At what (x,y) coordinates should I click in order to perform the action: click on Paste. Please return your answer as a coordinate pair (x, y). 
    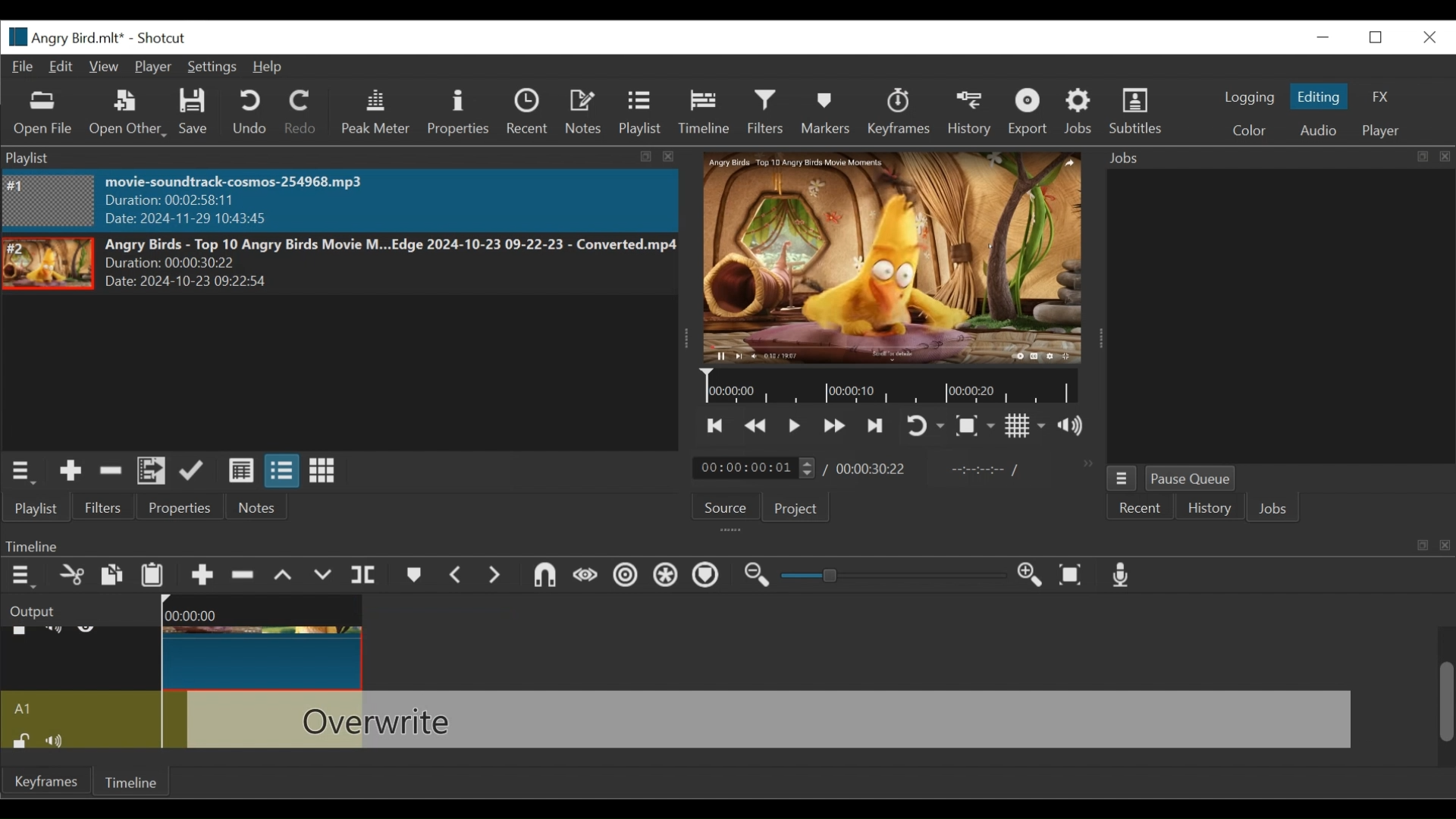
    Looking at the image, I should click on (153, 575).